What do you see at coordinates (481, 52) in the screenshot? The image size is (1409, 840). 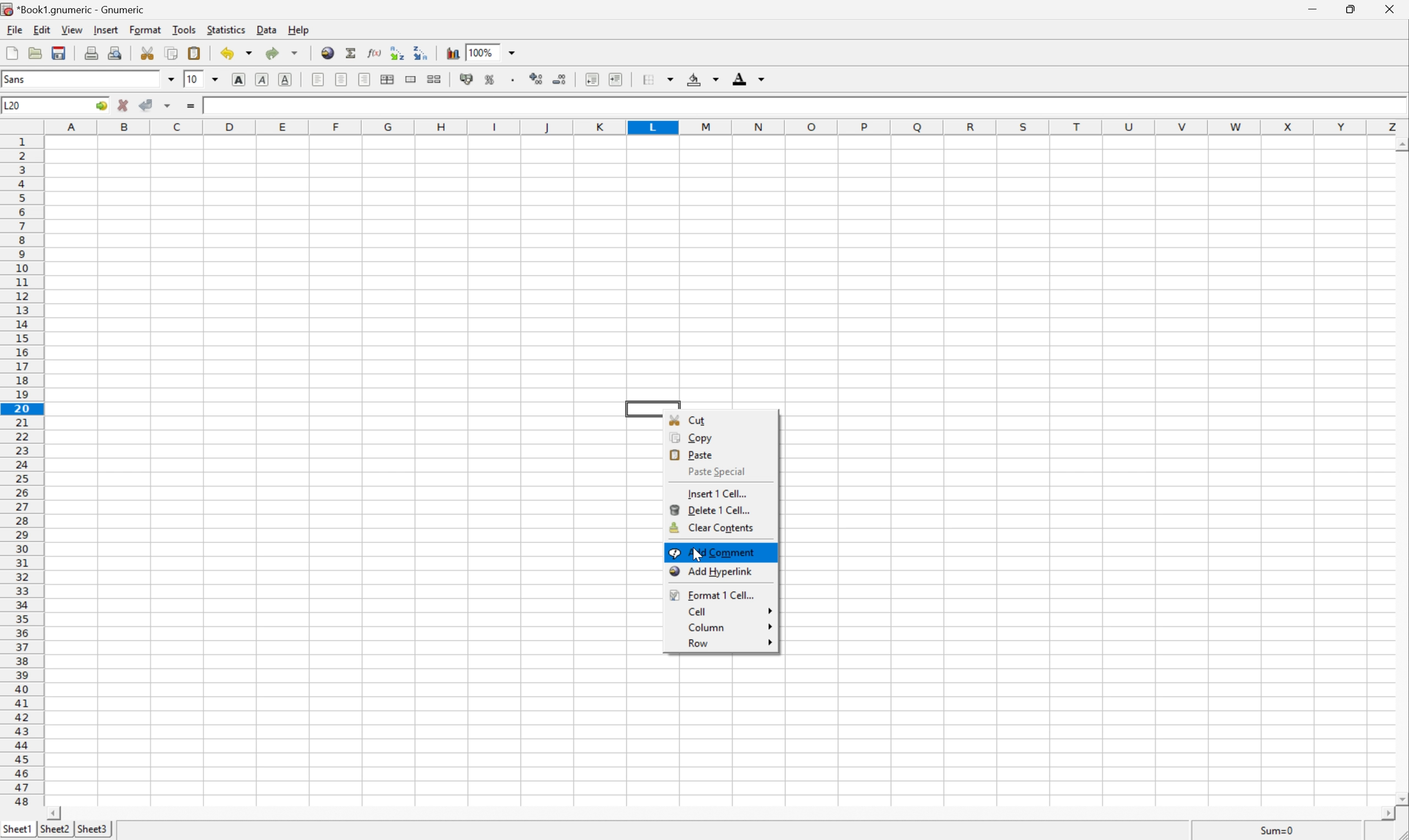 I see `100%` at bounding box center [481, 52].